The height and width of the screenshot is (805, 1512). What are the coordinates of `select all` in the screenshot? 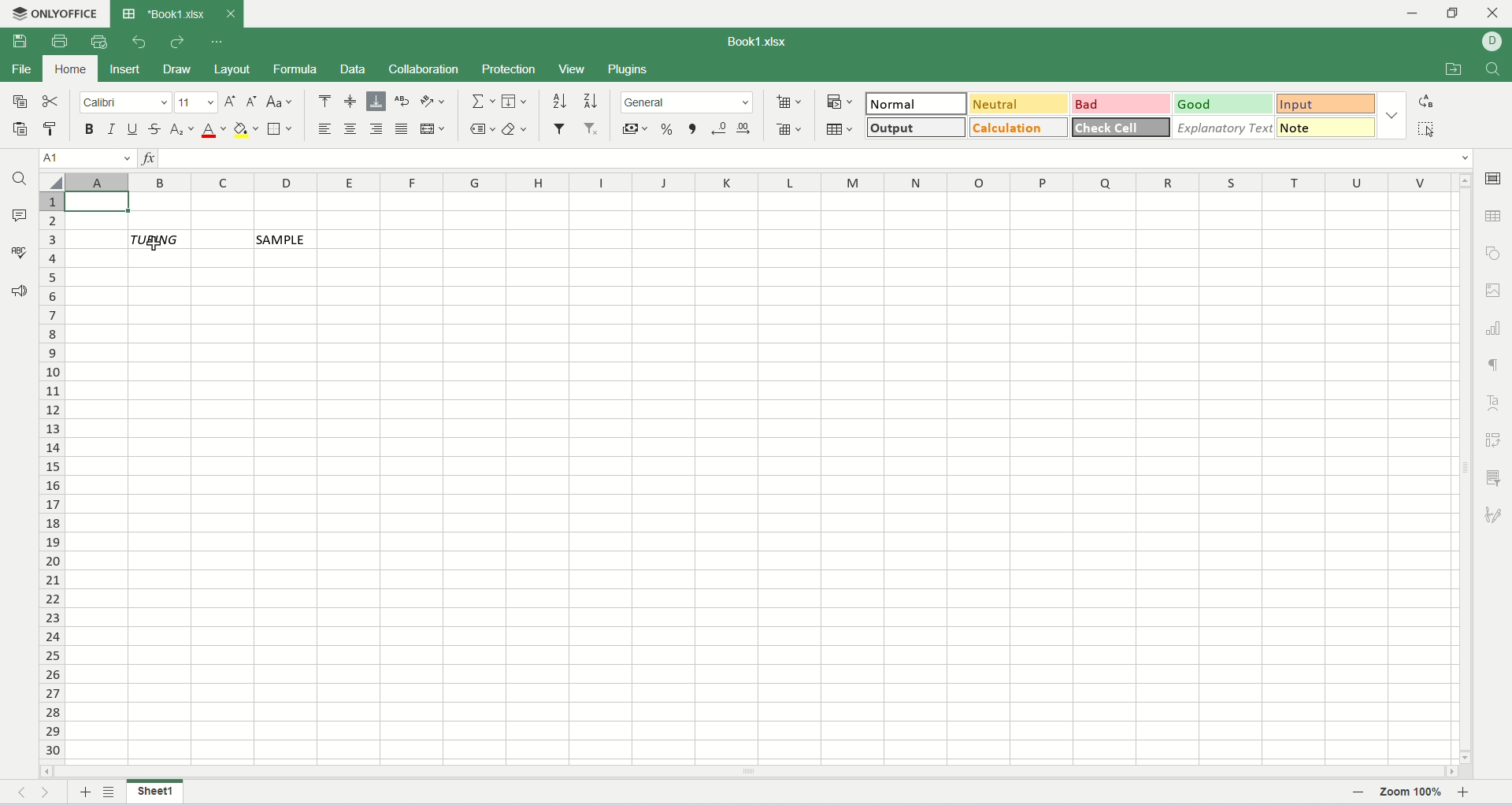 It's located at (1425, 128).